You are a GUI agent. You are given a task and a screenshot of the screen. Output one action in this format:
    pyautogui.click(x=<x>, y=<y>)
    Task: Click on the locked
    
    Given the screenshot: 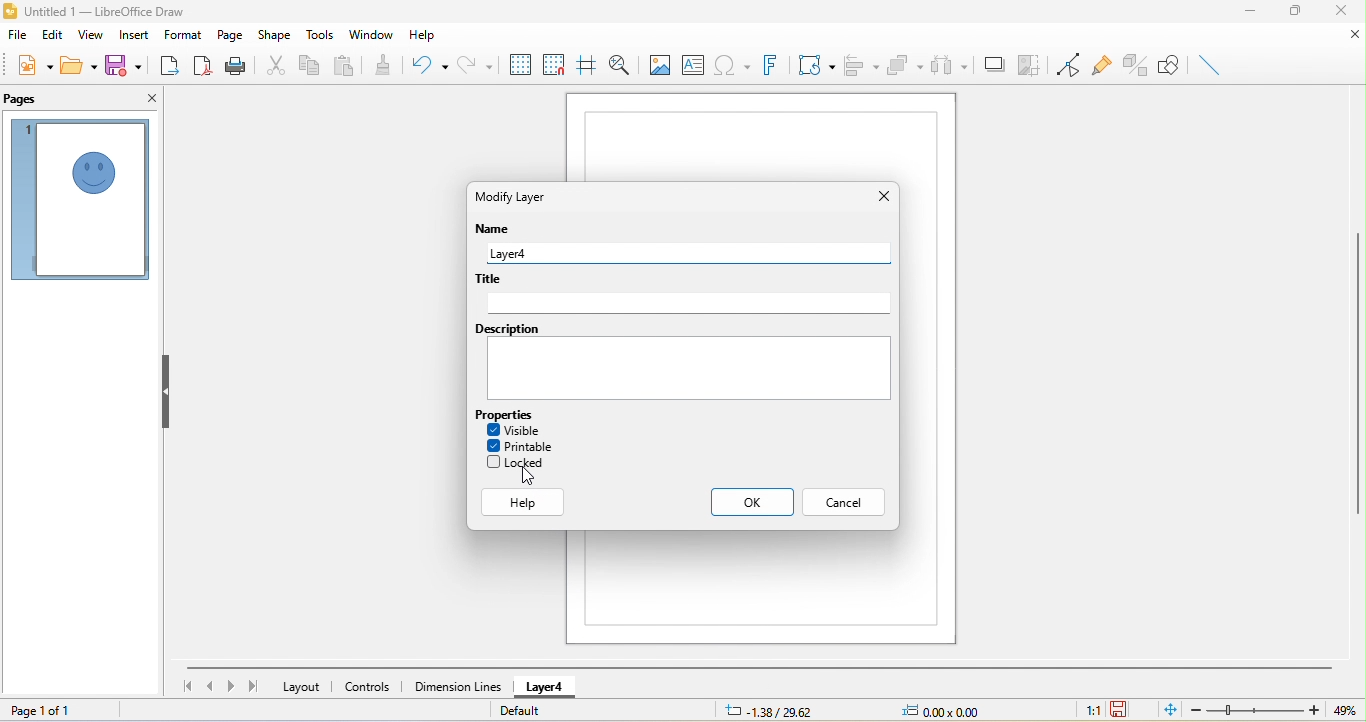 What is the action you would take?
    pyautogui.click(x=524, y=463)
    